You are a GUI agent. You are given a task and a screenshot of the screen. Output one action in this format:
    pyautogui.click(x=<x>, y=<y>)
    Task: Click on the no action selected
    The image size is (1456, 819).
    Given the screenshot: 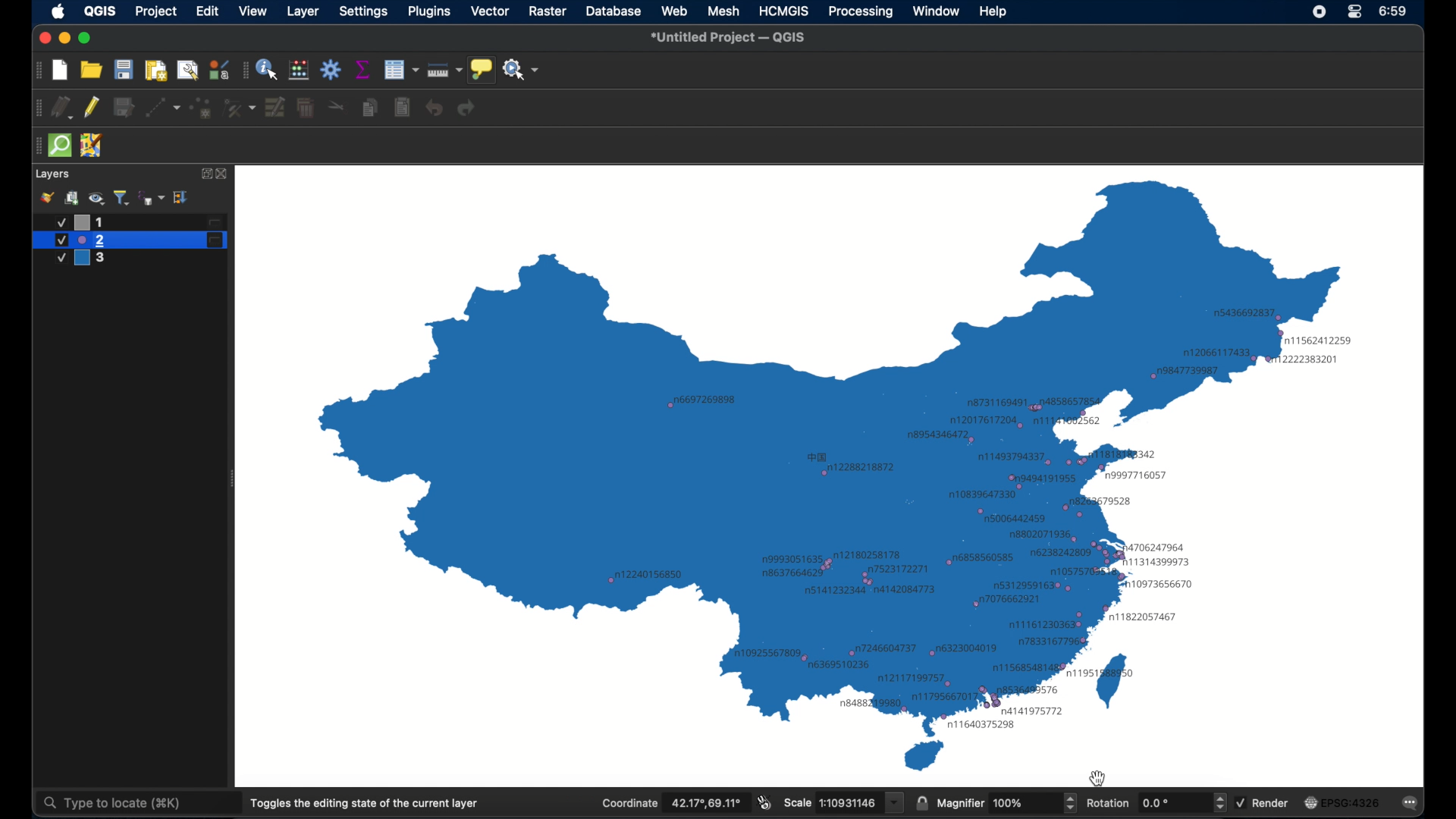 What is the action you would take?
    pyautogui.click(x=521, y=69)
    